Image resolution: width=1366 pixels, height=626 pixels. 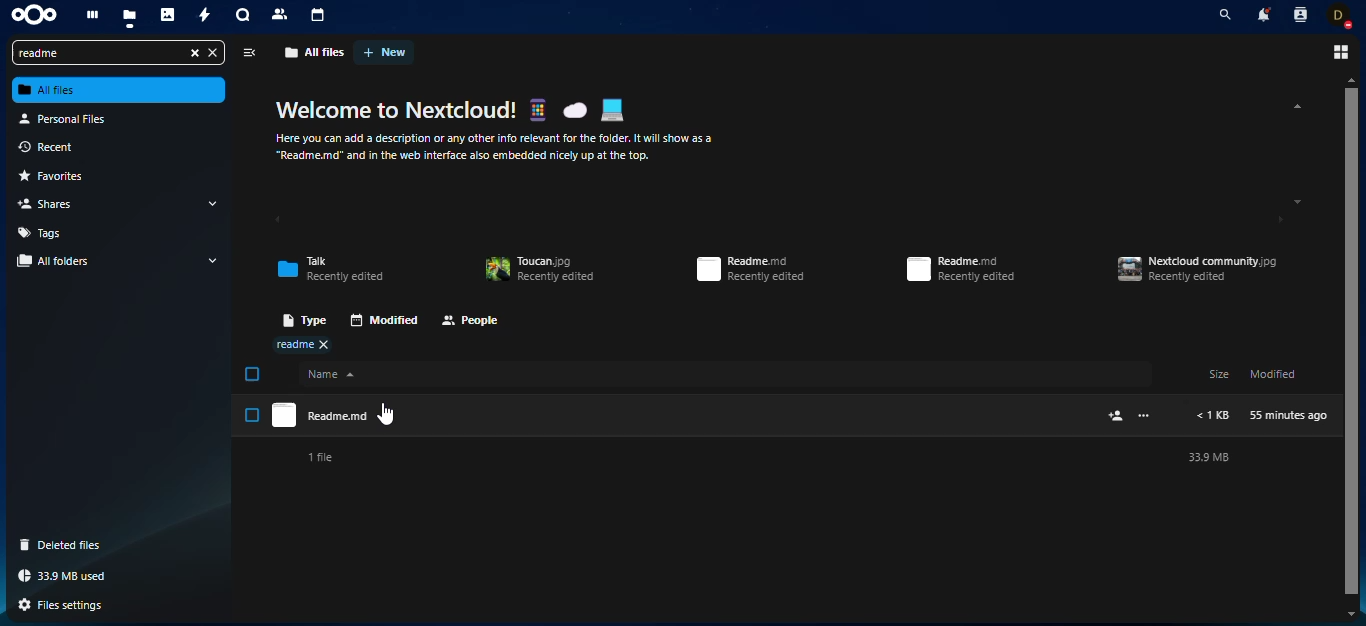 I want to click on Modified, so click(x=1274, y=373).